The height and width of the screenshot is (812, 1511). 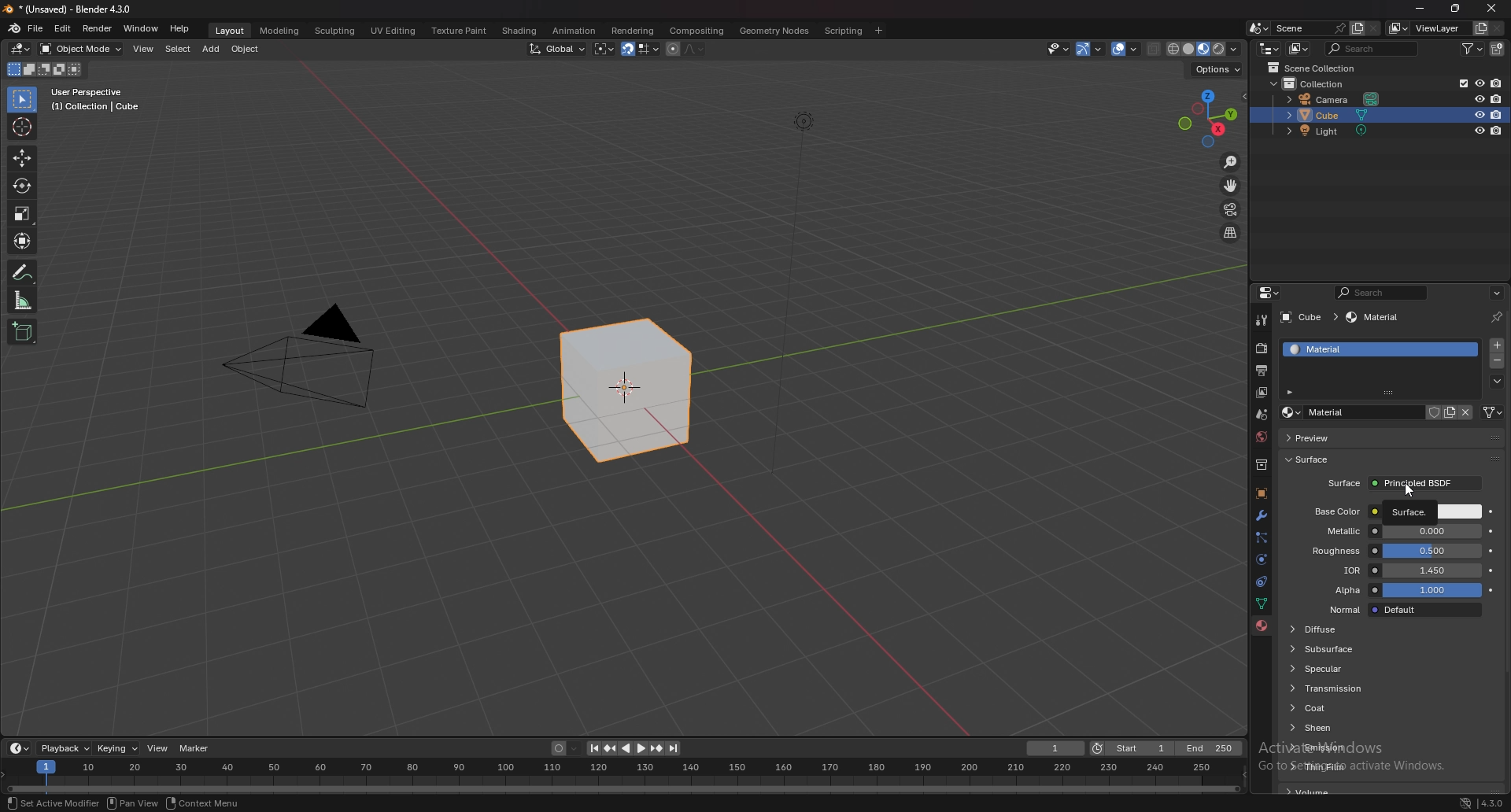 What do you see at coordinates (1362, 349) in the screenshot?
I see `material` at bounding box center [1362, 349].